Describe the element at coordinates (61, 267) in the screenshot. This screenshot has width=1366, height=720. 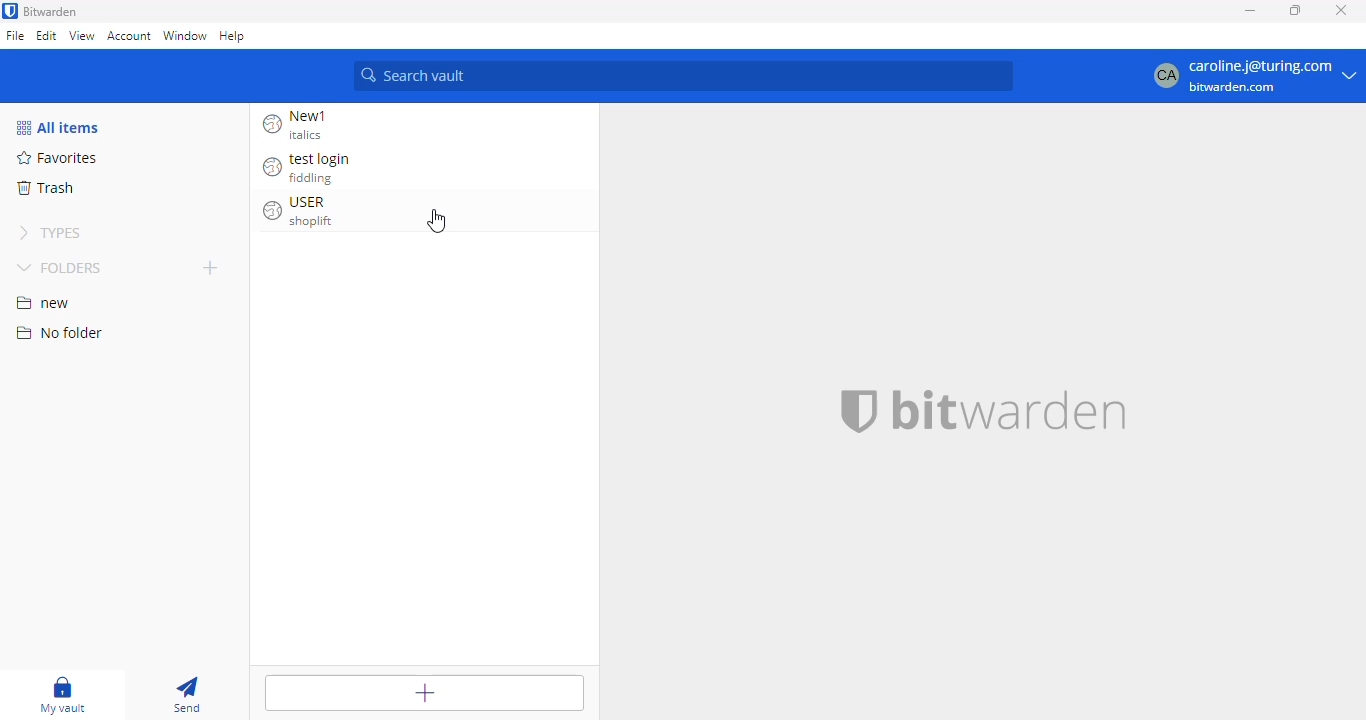
I see `folders` at that location.